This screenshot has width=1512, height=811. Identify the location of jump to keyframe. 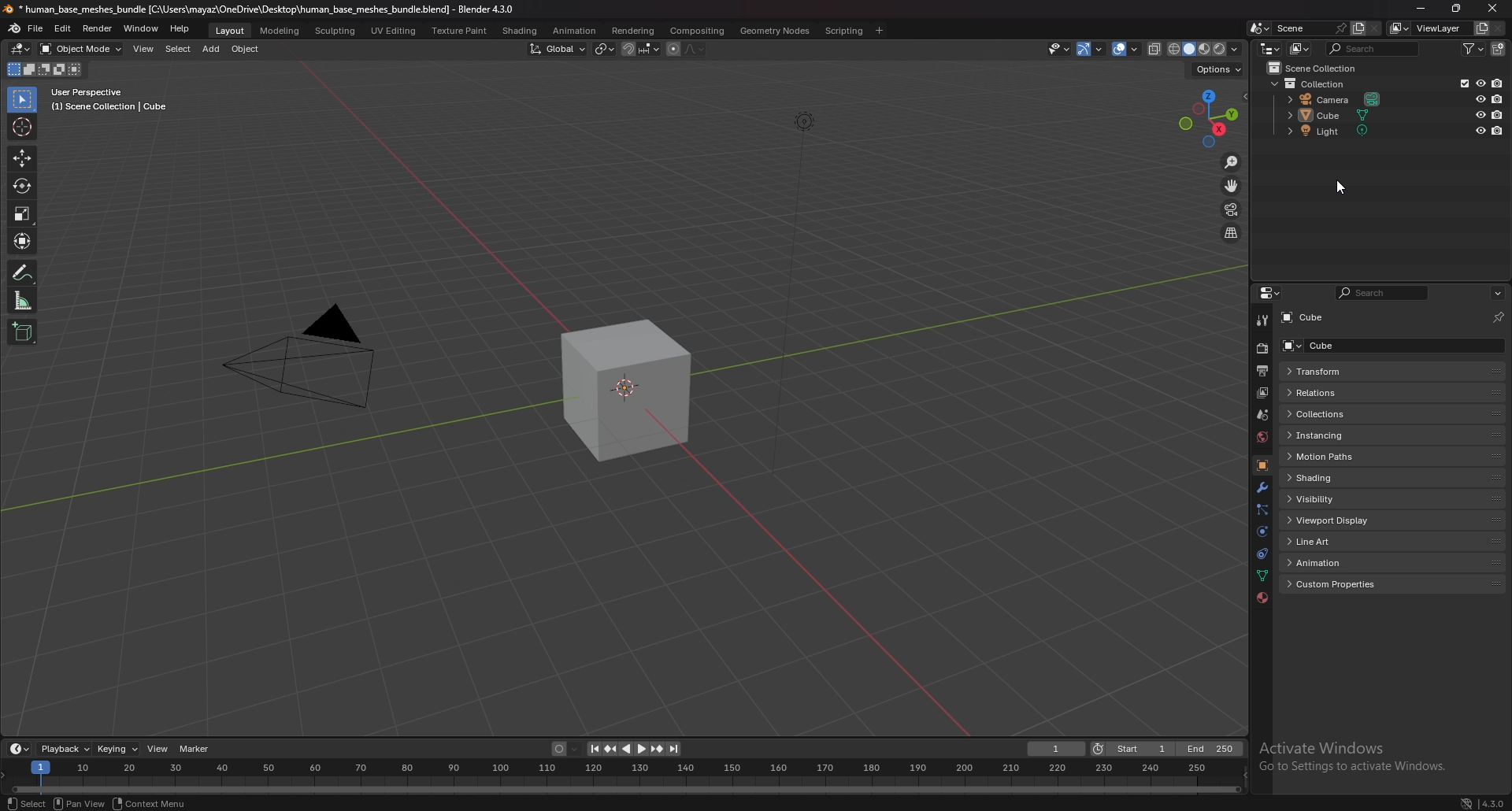
(658, 749).